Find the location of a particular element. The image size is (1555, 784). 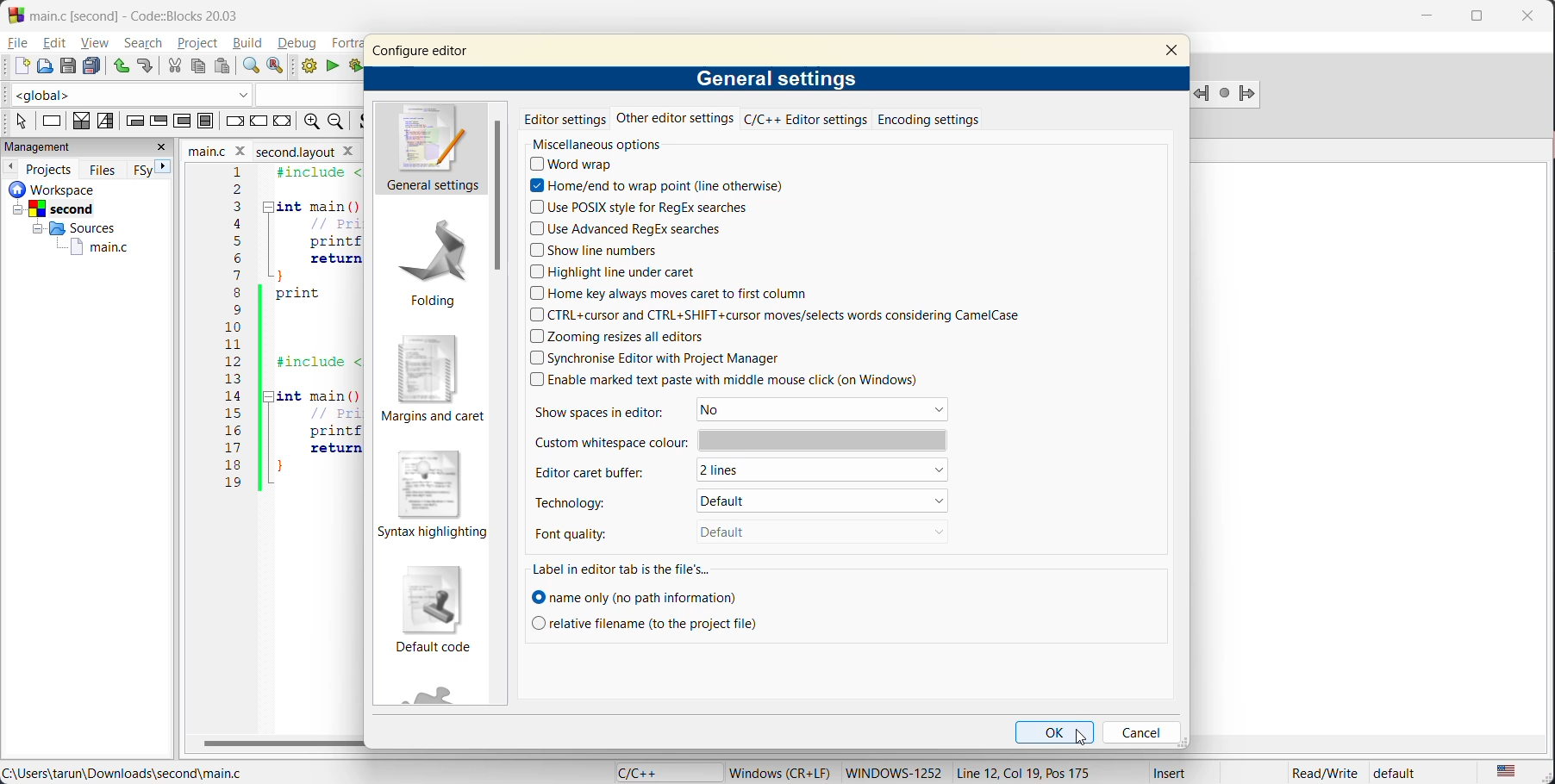

FSy is located at coordinates (142, 169).